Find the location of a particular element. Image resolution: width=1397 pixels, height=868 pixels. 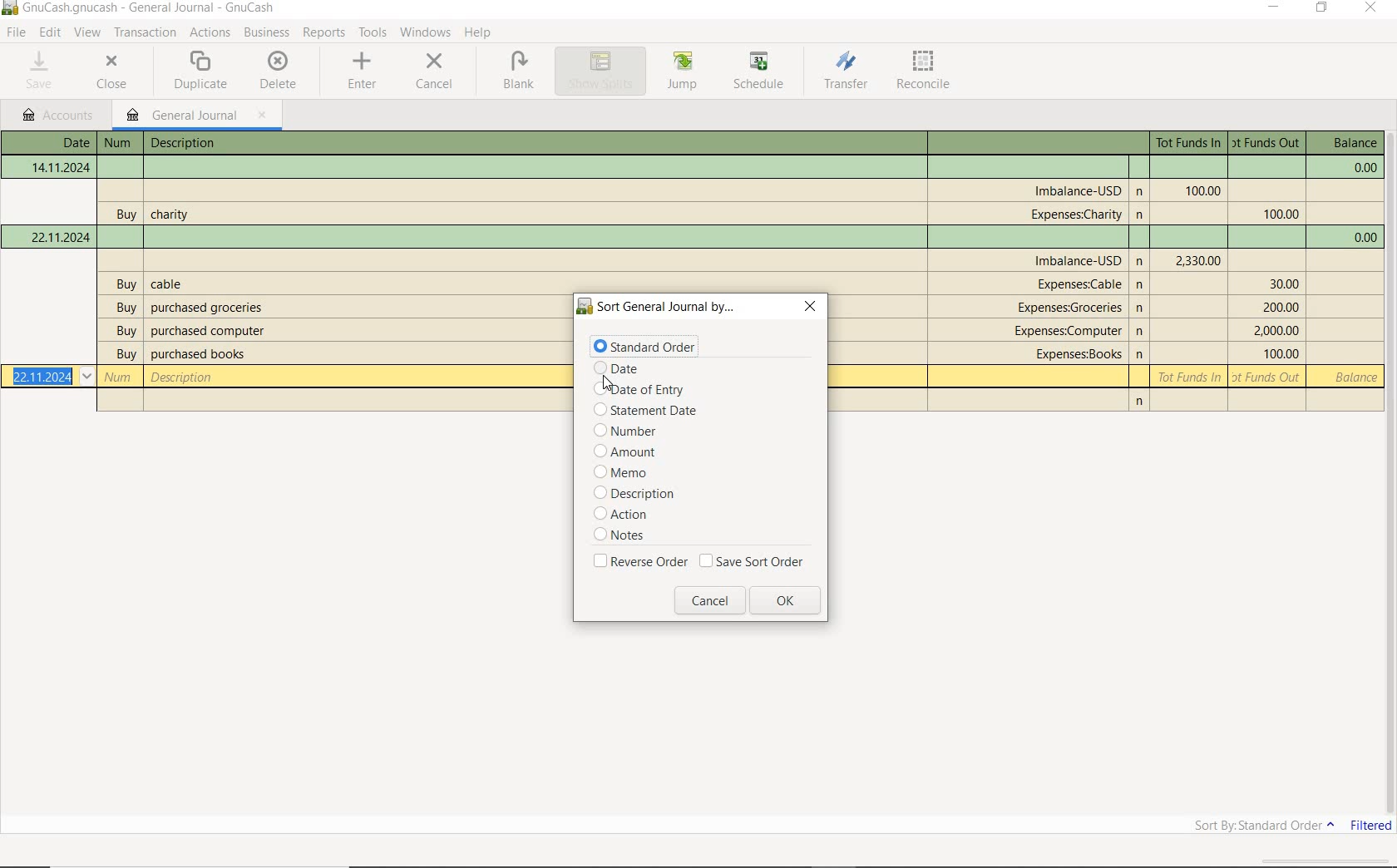

GENERAL JOURNAL is located at coordinates (195, 116).